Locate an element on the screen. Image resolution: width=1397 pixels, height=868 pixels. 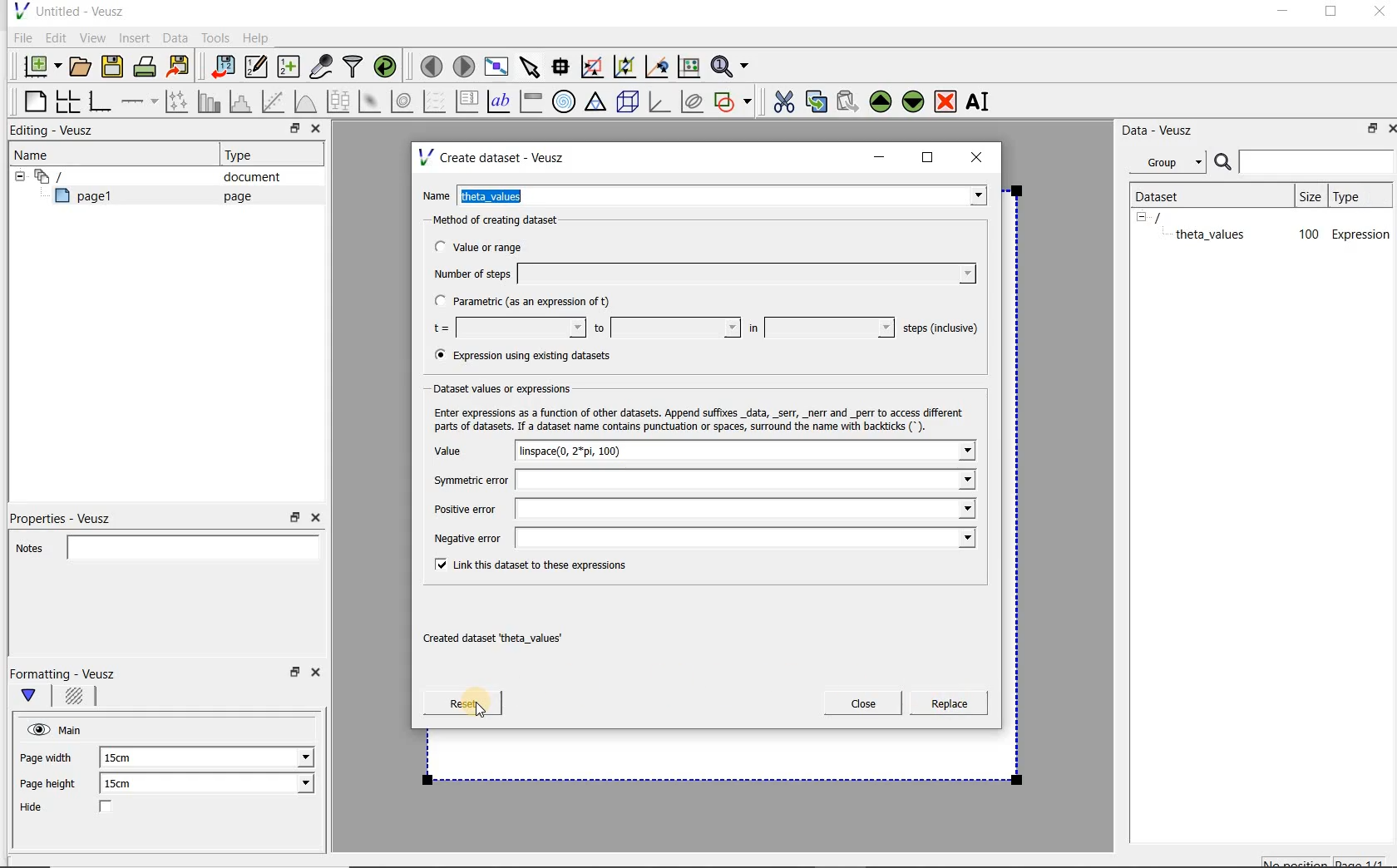
blank page is located at coordinates (32, 99).